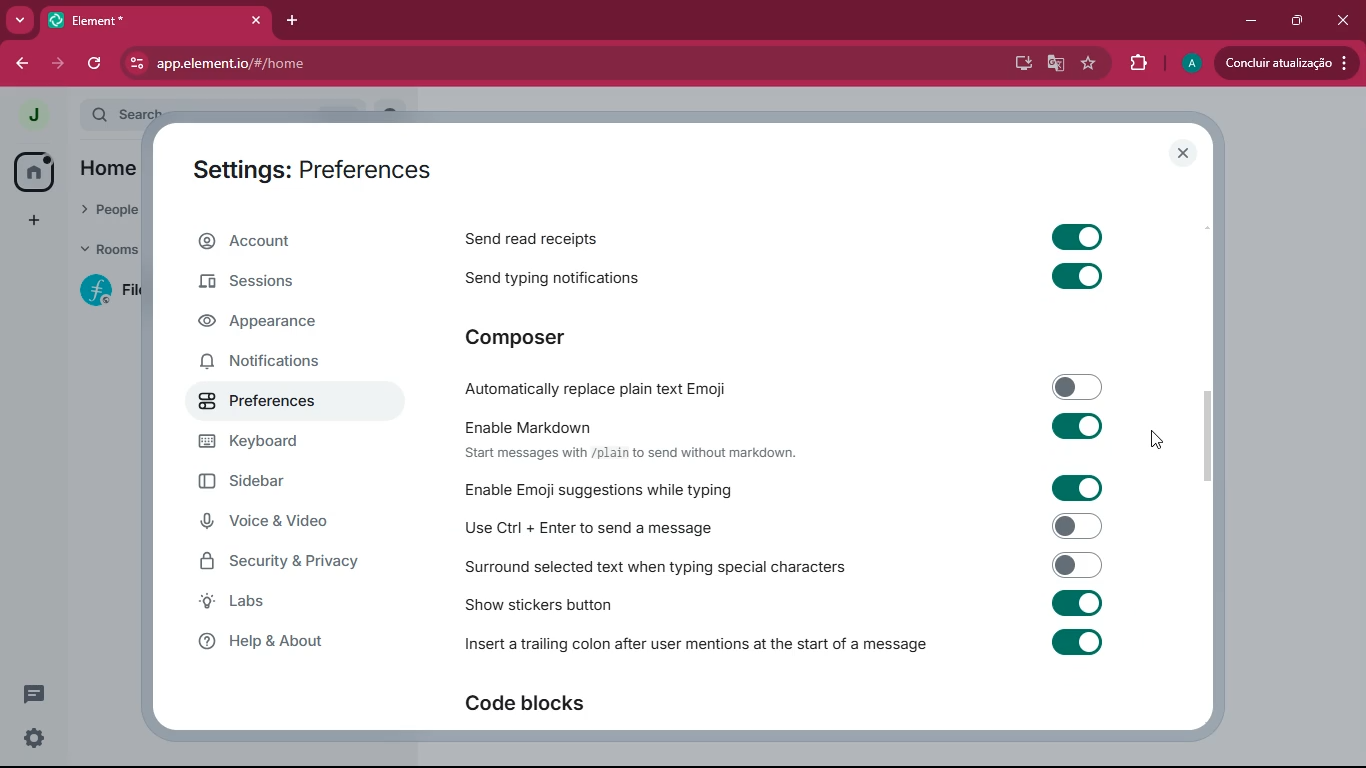  I want to click on toggle on or off, so click(1073, 385).